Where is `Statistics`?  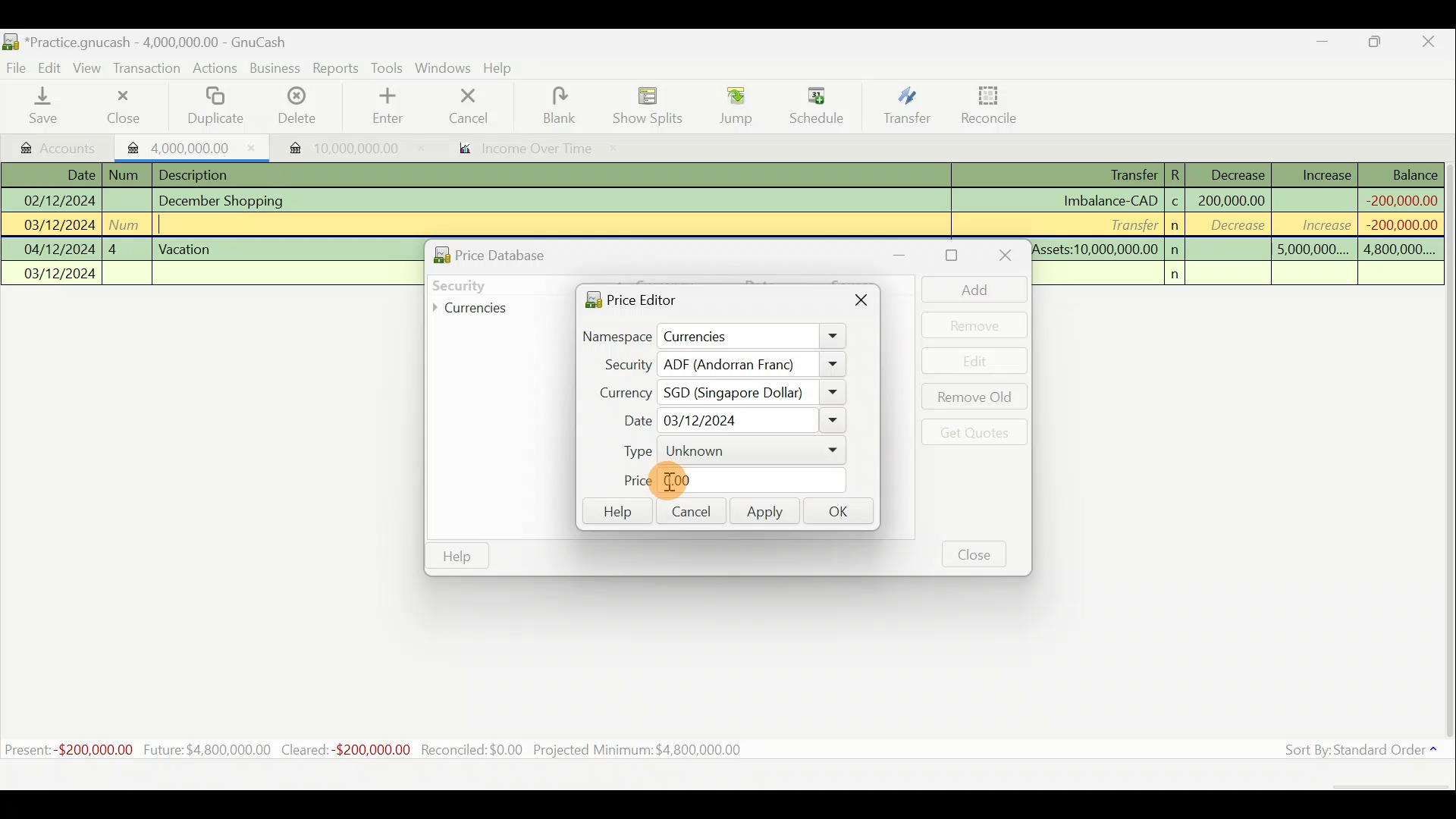
Statistics is located at coordinates (399, 750).